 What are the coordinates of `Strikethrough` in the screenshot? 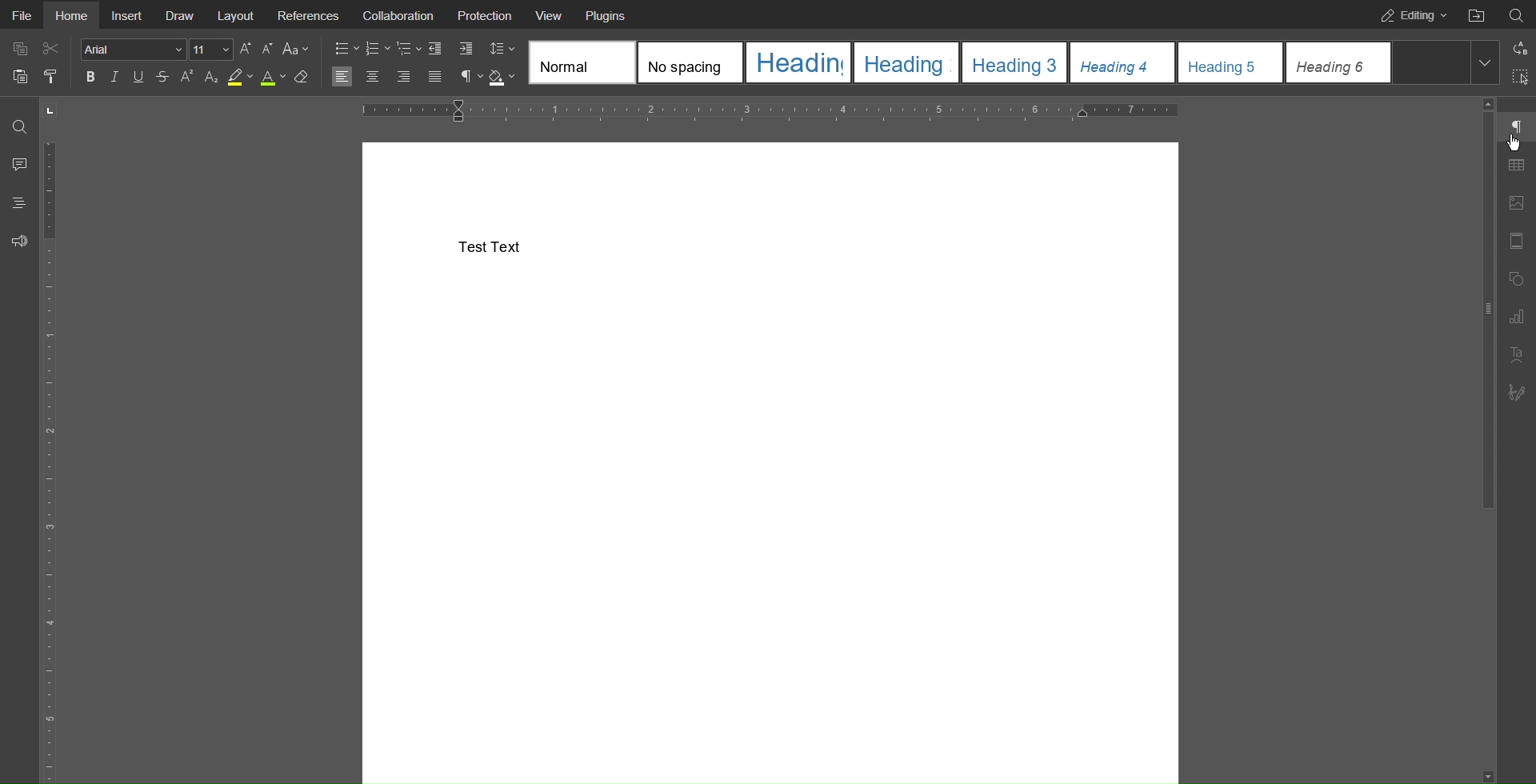 It's located at (161, 78).